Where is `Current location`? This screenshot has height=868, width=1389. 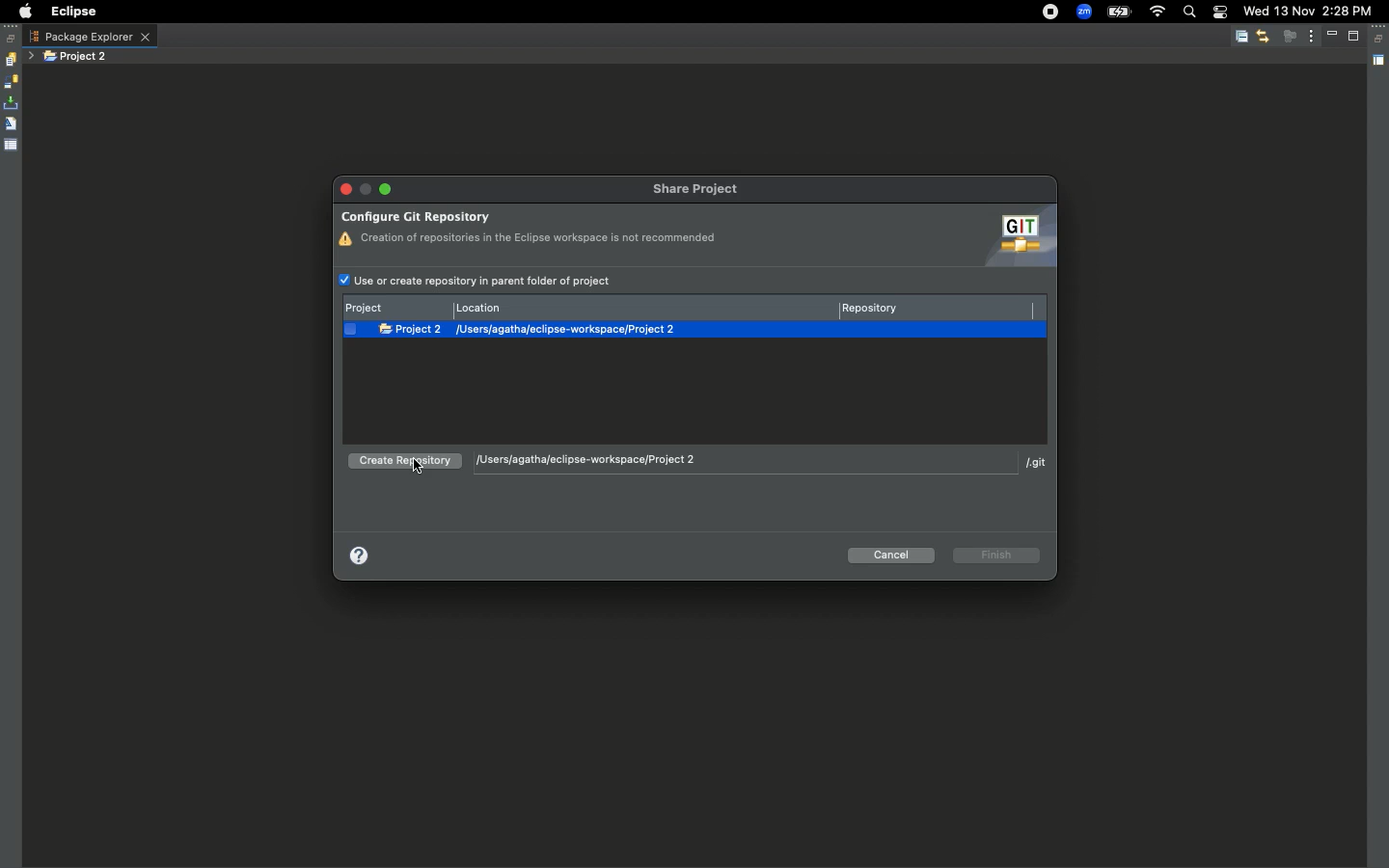 Current location is located at coordinates (645, 307).